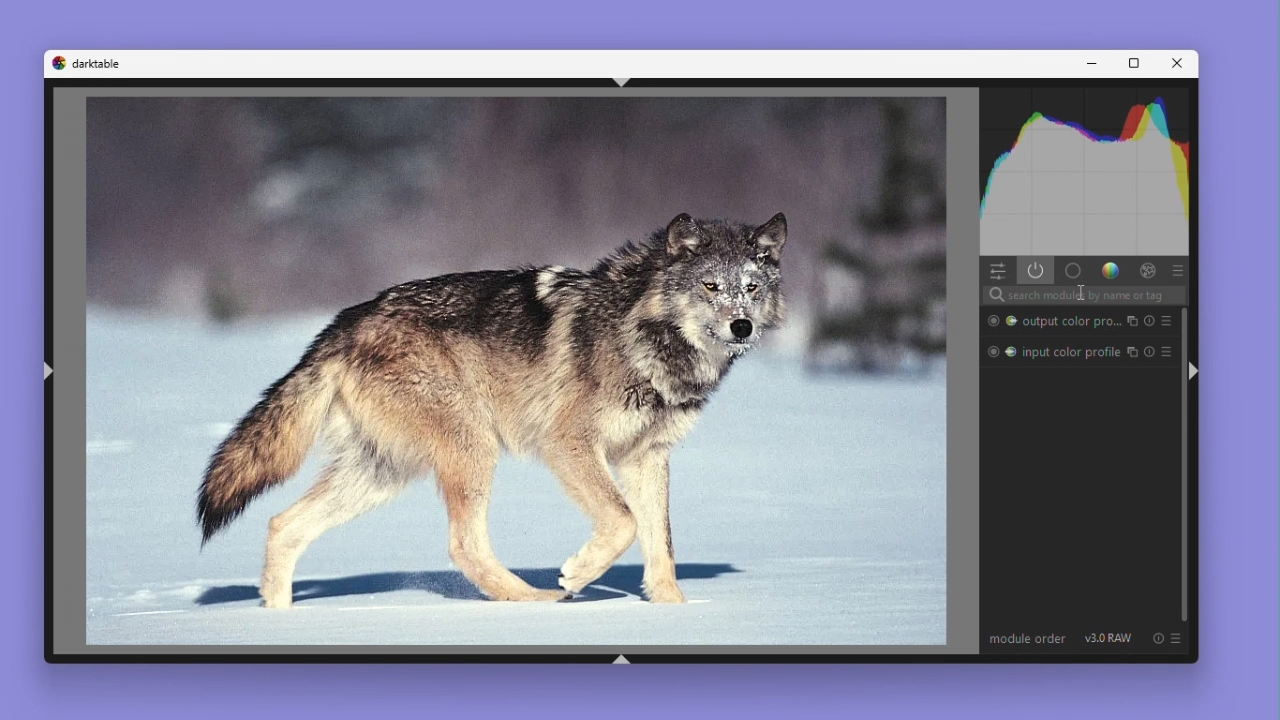  What do you see at coordinates (1132, 353) in the screenshot?
I see `enable/diable module` at bounding box center [1132, 353].